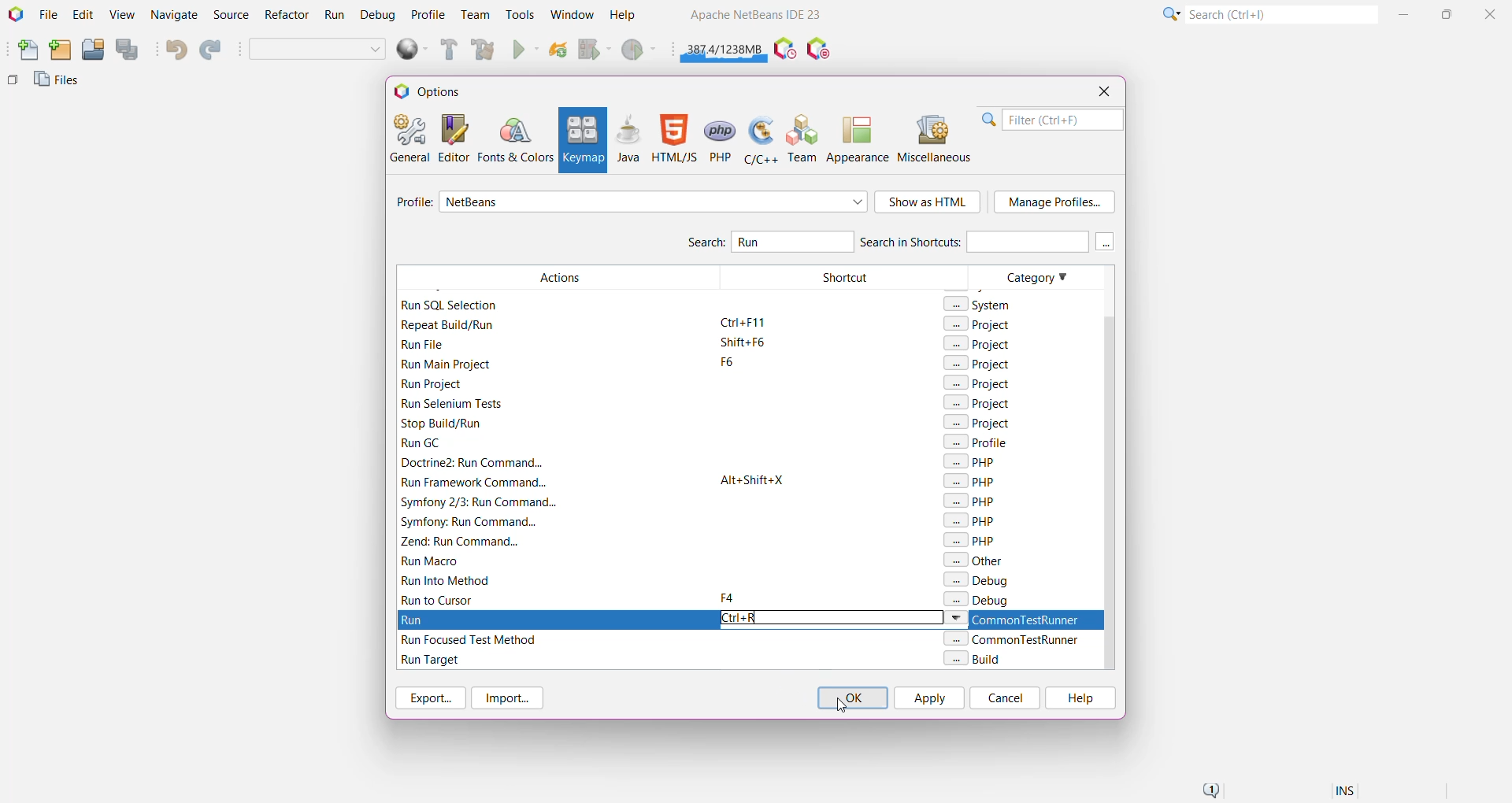  What do you see at coordinates (1169, 13) in the screenshot?
I see `Click or press Shift+F10 for Category Selection` at bounding box center [1169, 13].